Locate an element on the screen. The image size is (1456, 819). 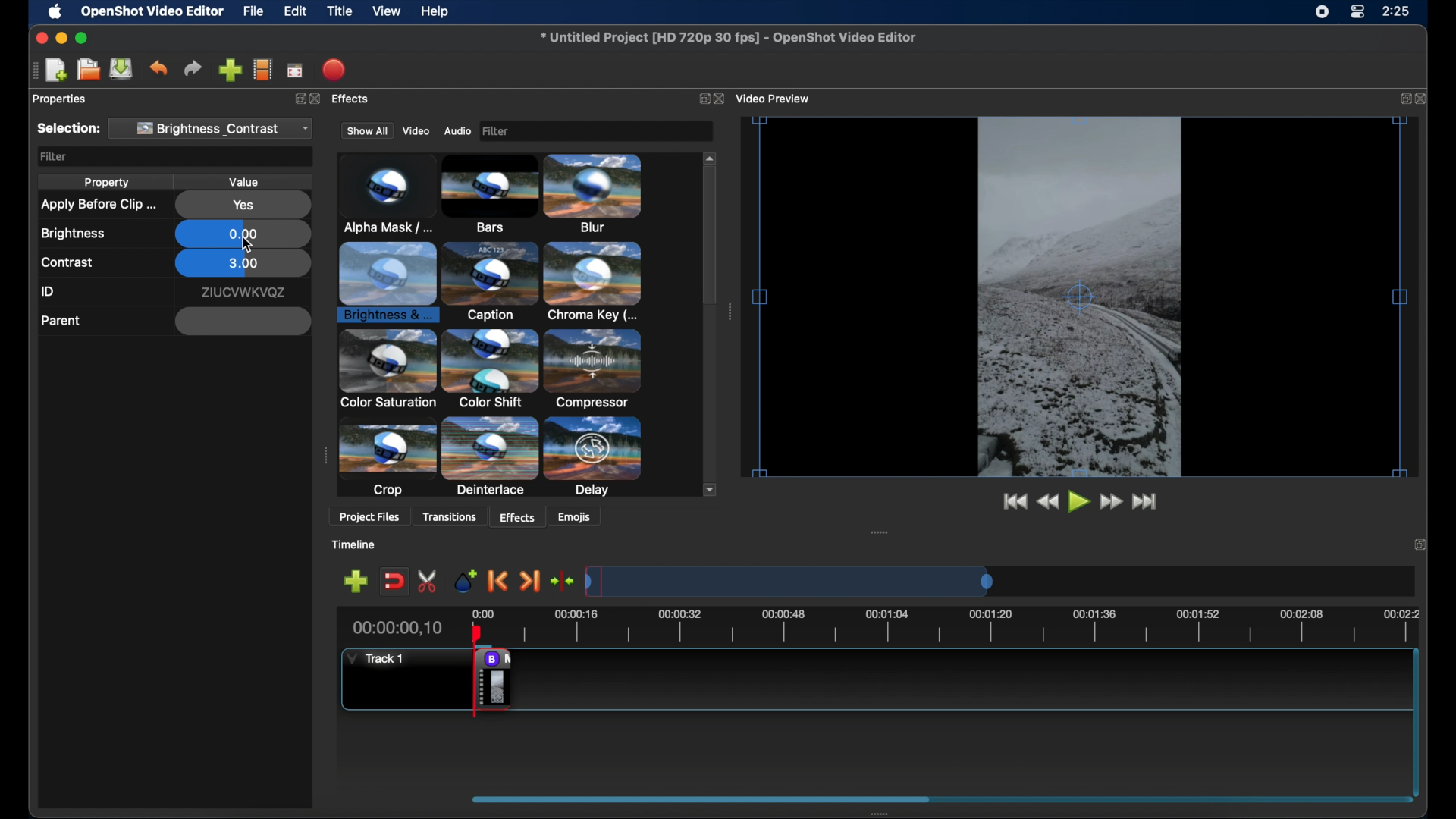
center playhead on the timeline is located at coordinates (563, 580).